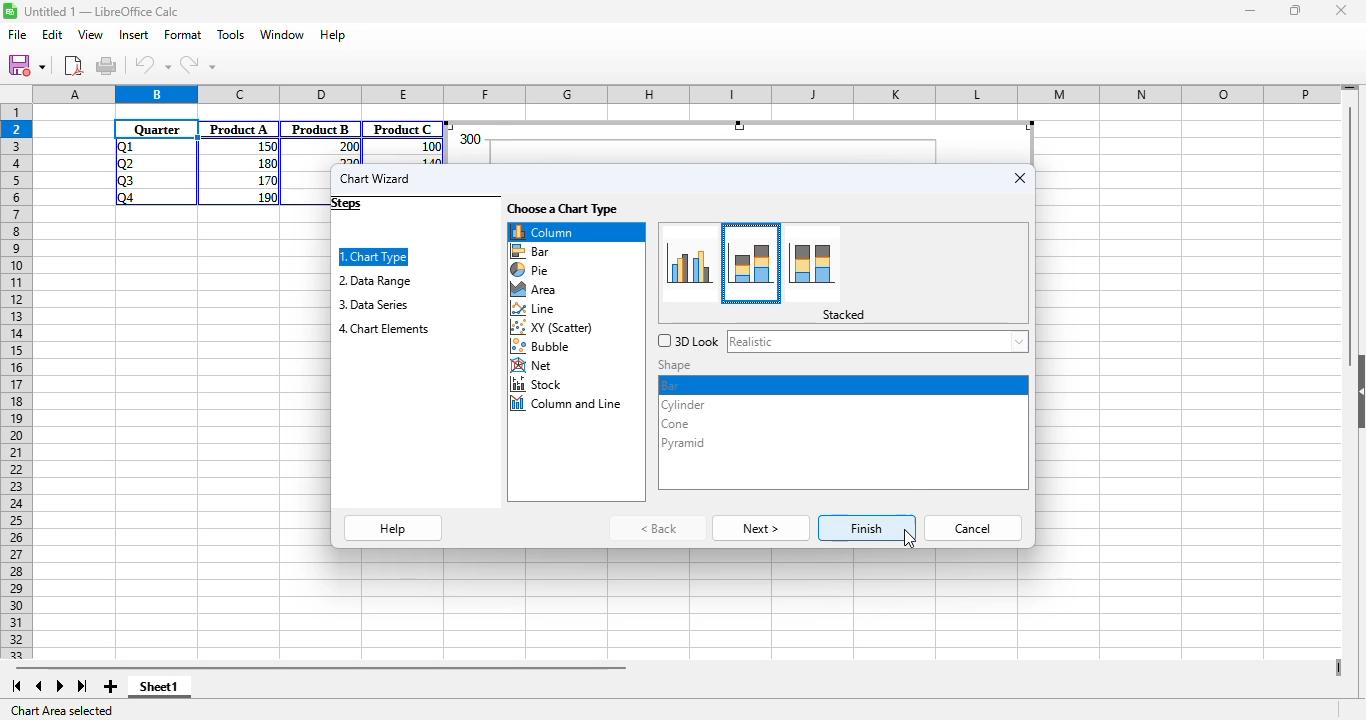 The image size is (1366, 720). What do you see at coordinates (83, 687) in the screenshot?
I see `scroll to last sheet` at bounding box center [83, 687].